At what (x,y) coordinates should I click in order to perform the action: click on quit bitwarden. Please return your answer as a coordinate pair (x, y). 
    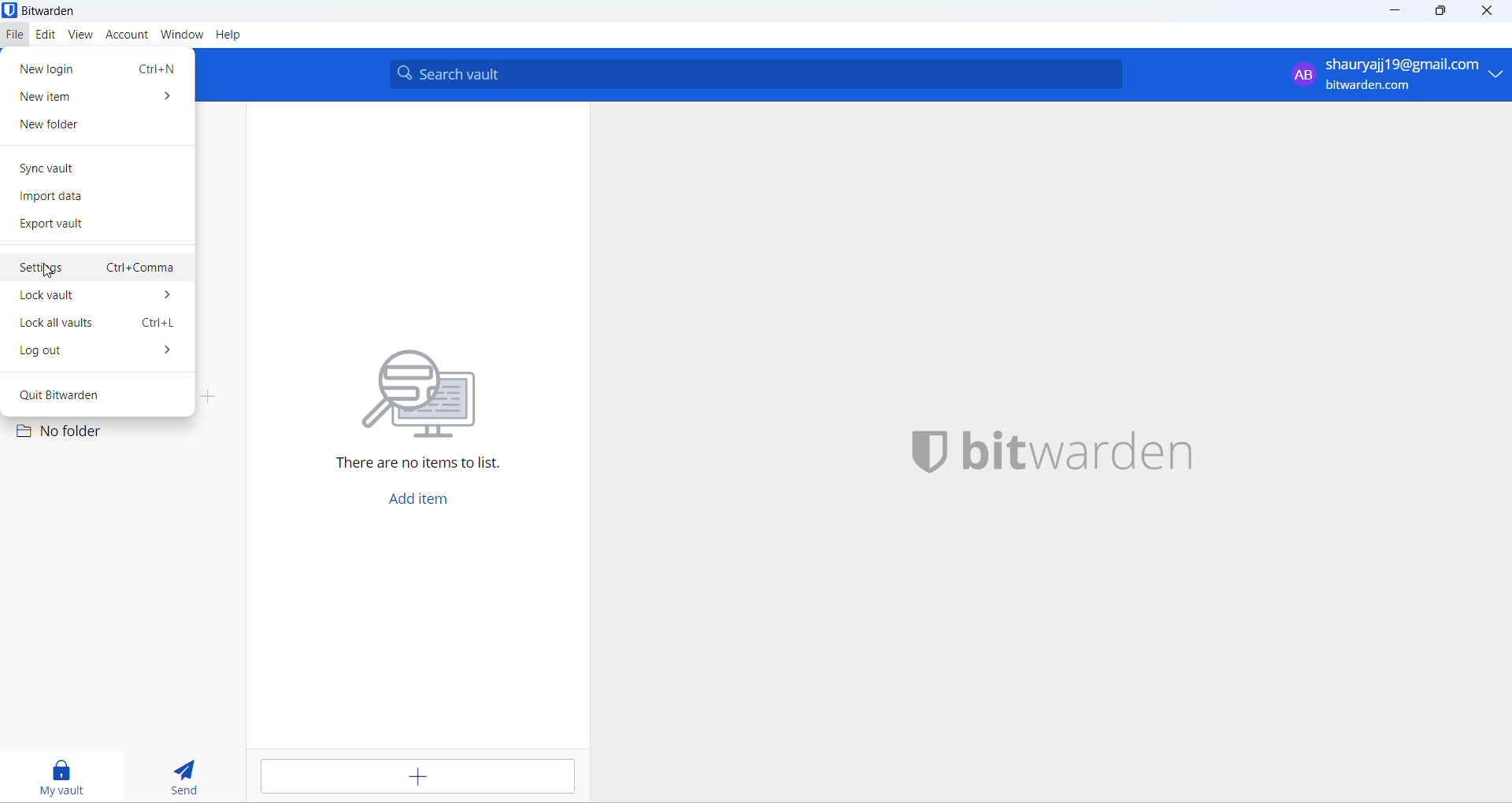
    Looking at the image, I should click on (92, 396).